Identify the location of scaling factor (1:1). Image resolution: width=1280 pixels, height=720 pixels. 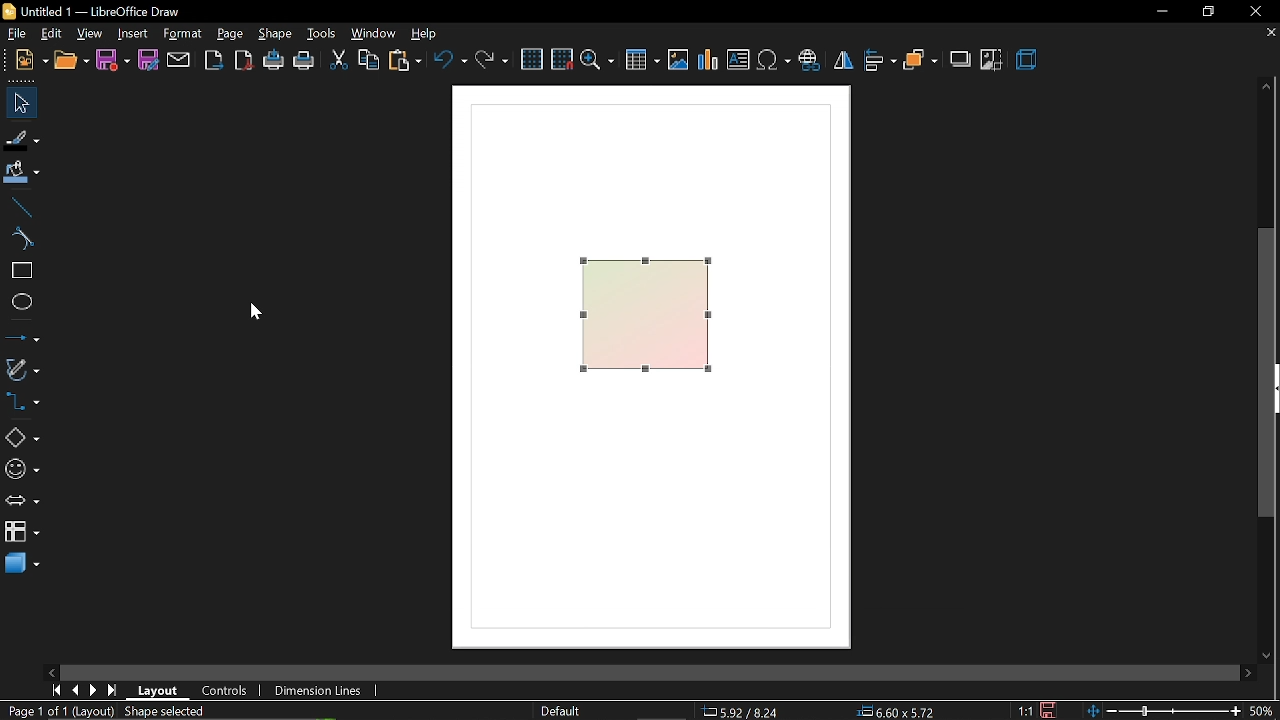
(1023, 710).